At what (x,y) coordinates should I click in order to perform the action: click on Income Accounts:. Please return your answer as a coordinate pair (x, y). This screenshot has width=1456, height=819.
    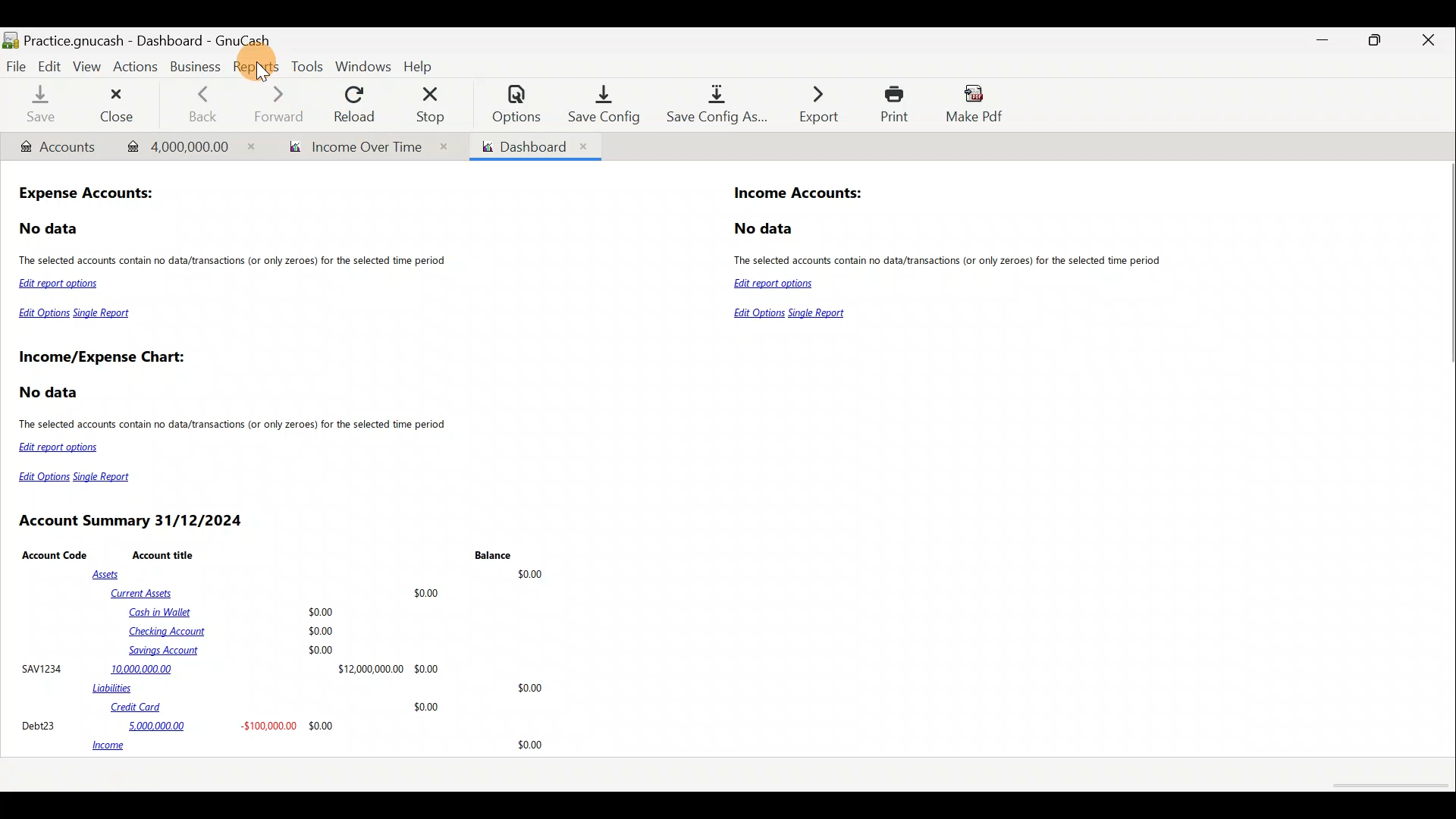
    Looking at the image, I should click on (799, 194).